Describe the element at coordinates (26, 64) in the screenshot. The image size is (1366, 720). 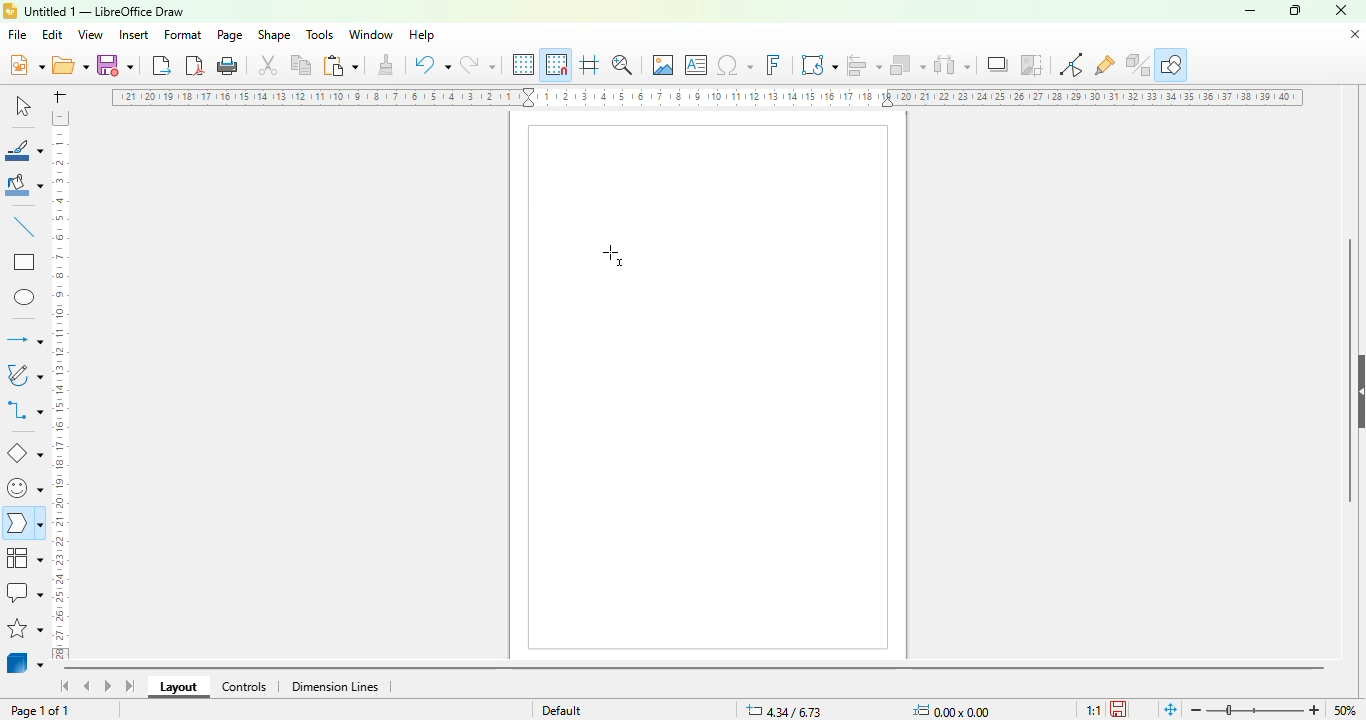
I see `new` at that location.